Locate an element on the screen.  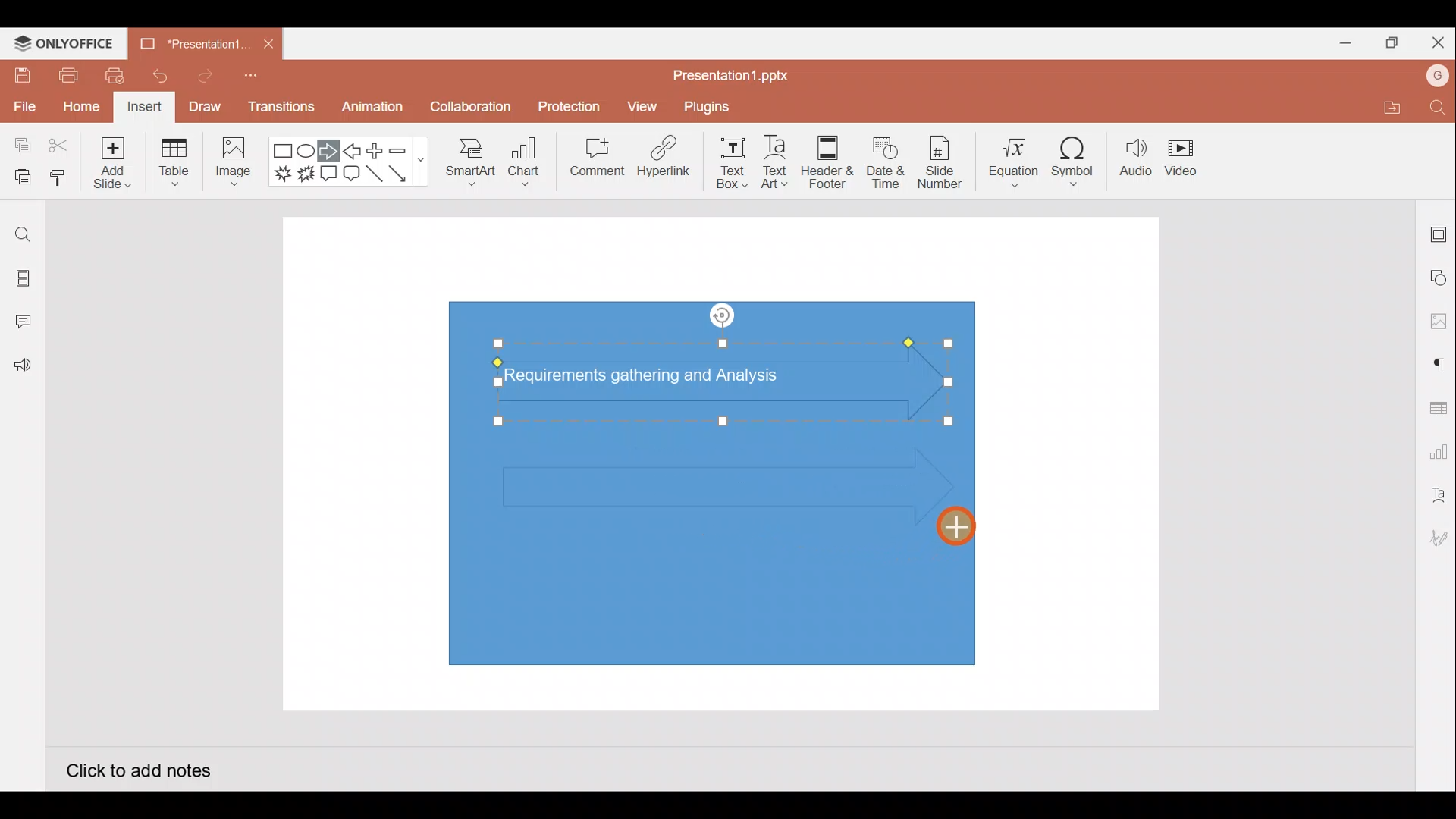
Transitions is located at coordinates (282, 111).